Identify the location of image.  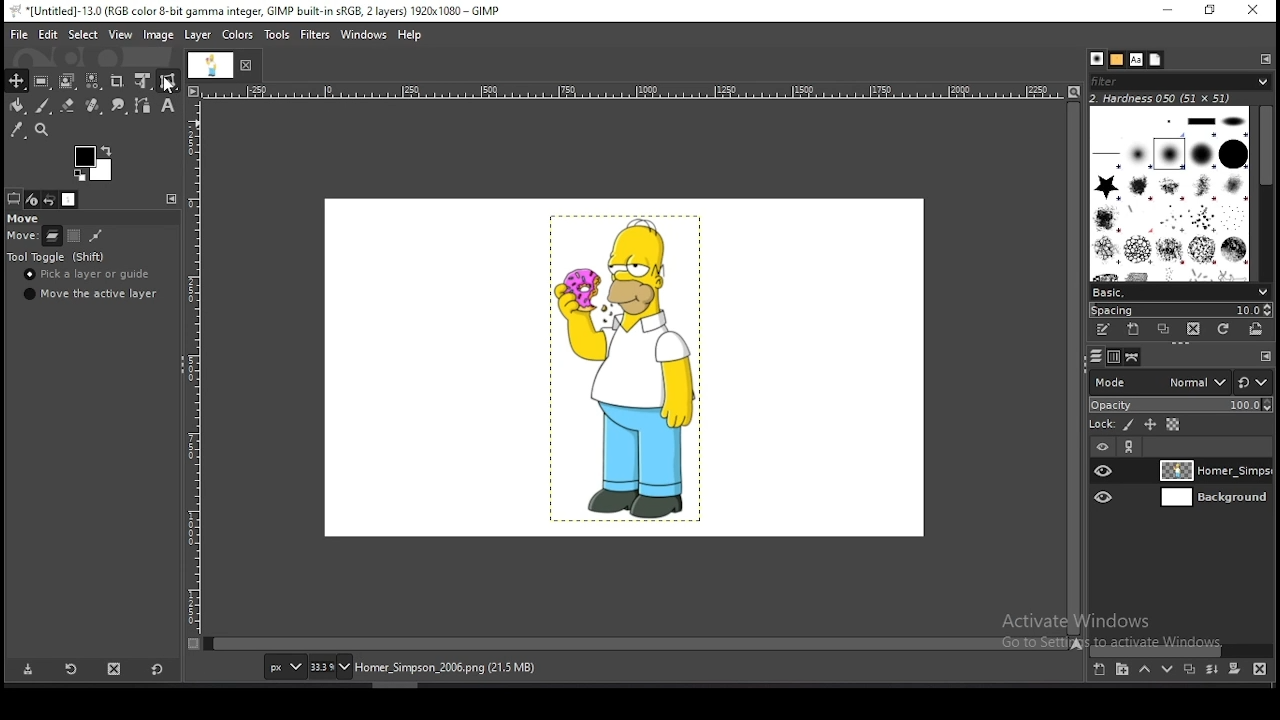
(160, 37).